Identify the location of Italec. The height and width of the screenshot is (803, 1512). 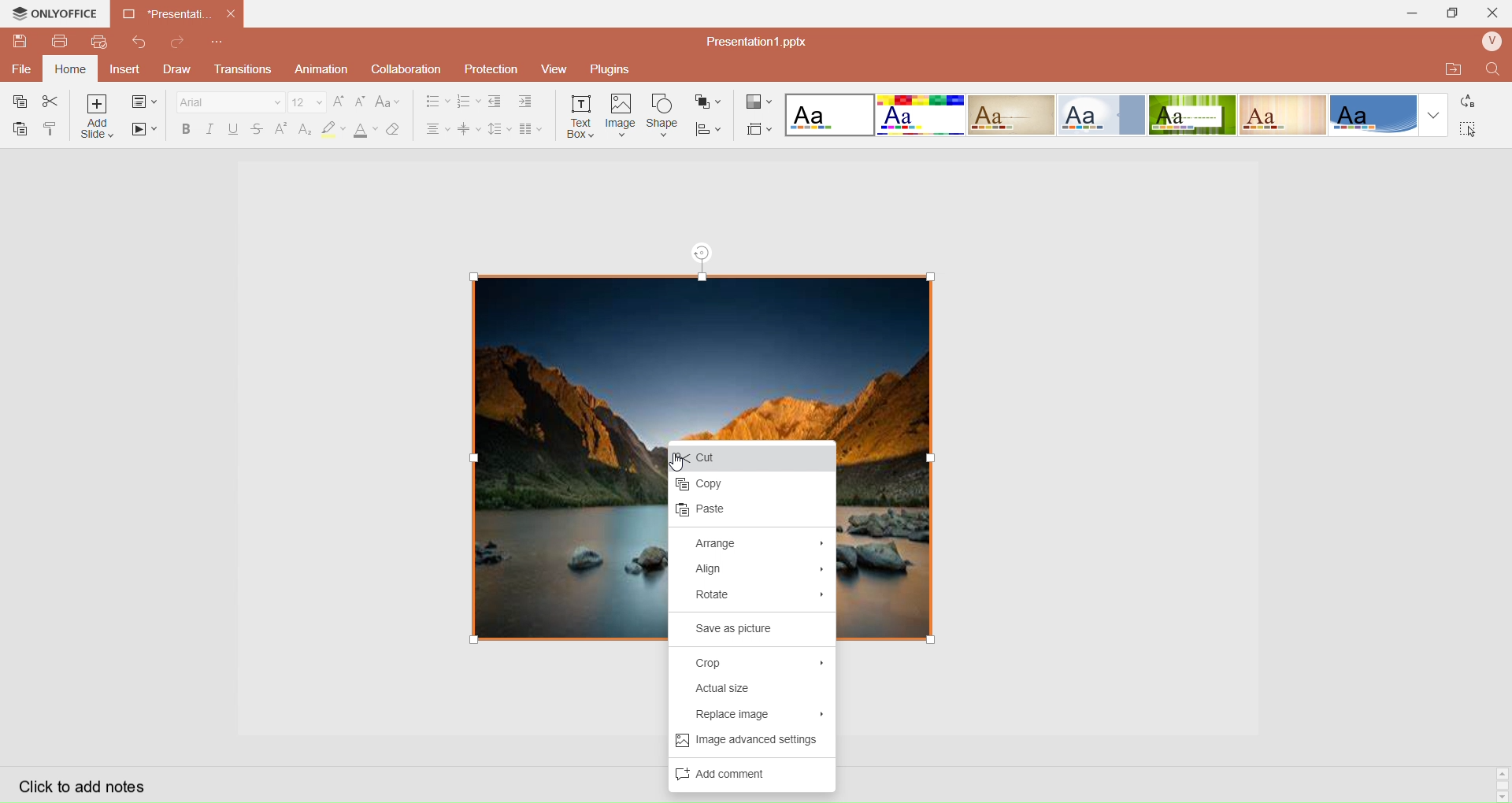
(209, 129).